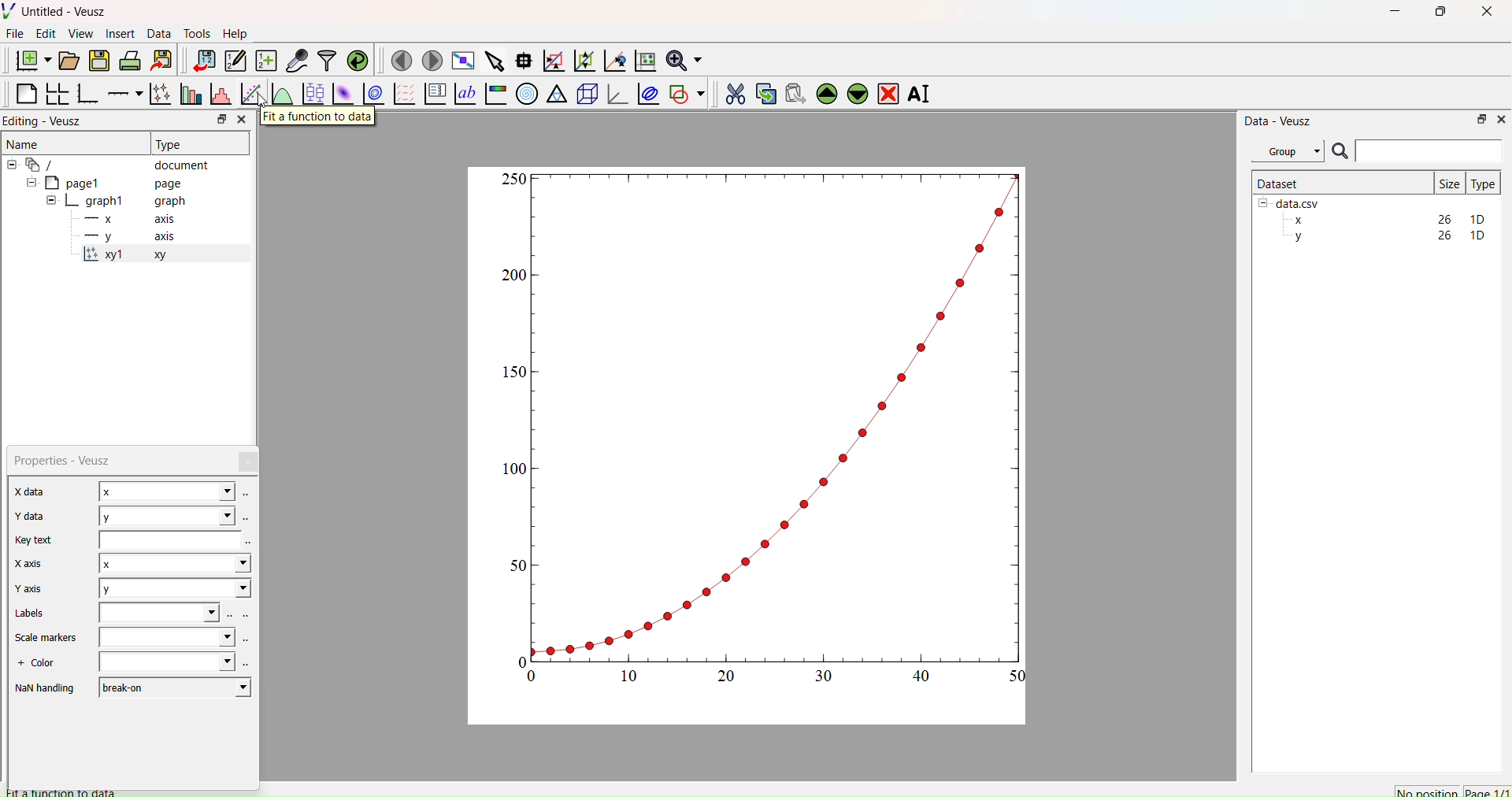 The height and width of the screenshot is (797, 1512). What do you see at coordinates (1483, 183) in the screenshot?
I see `Type` at bounding box center [1483, 183].